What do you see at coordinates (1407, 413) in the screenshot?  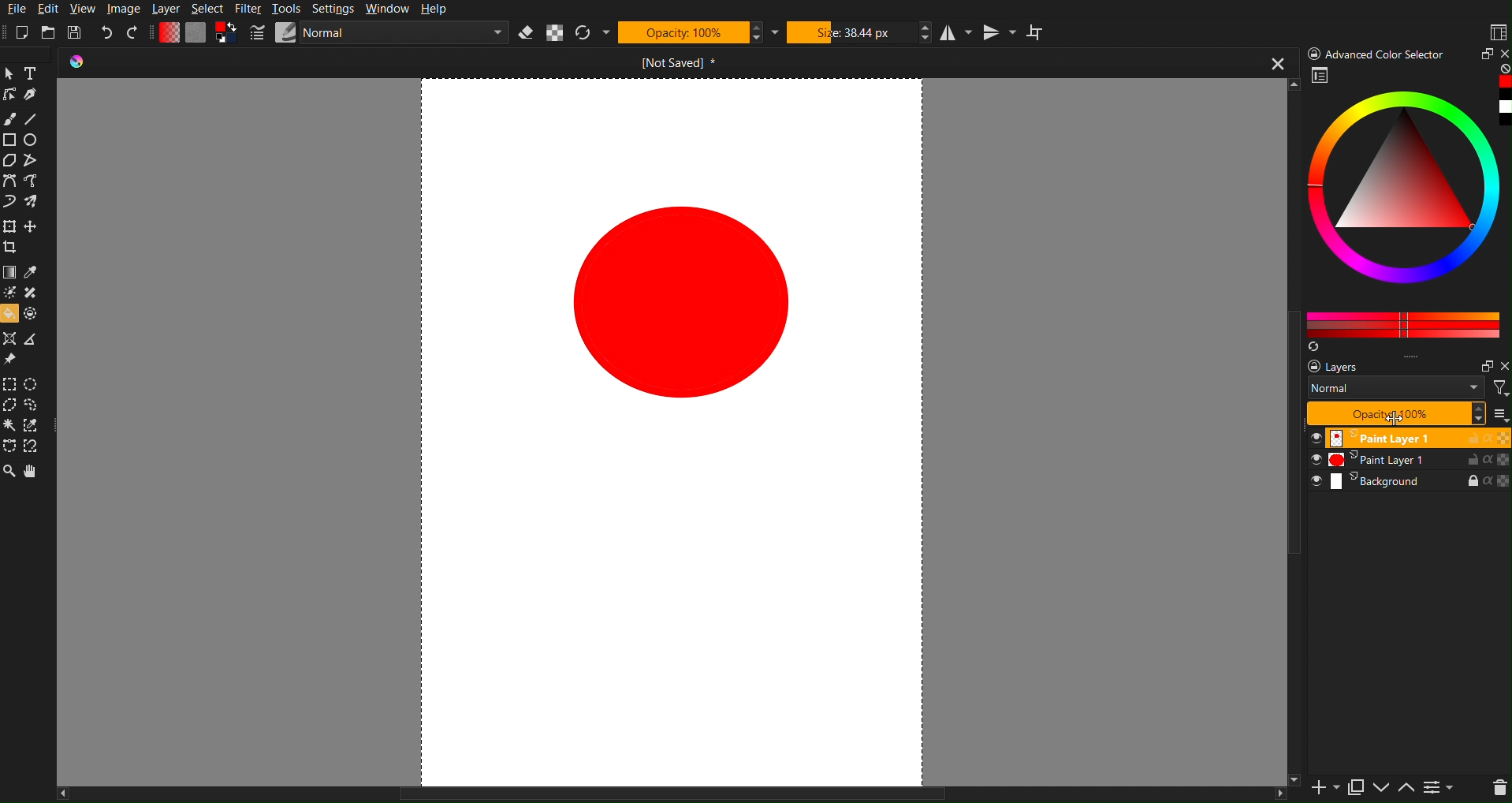 I see `Opacity` at bounding box center [1407, 413].